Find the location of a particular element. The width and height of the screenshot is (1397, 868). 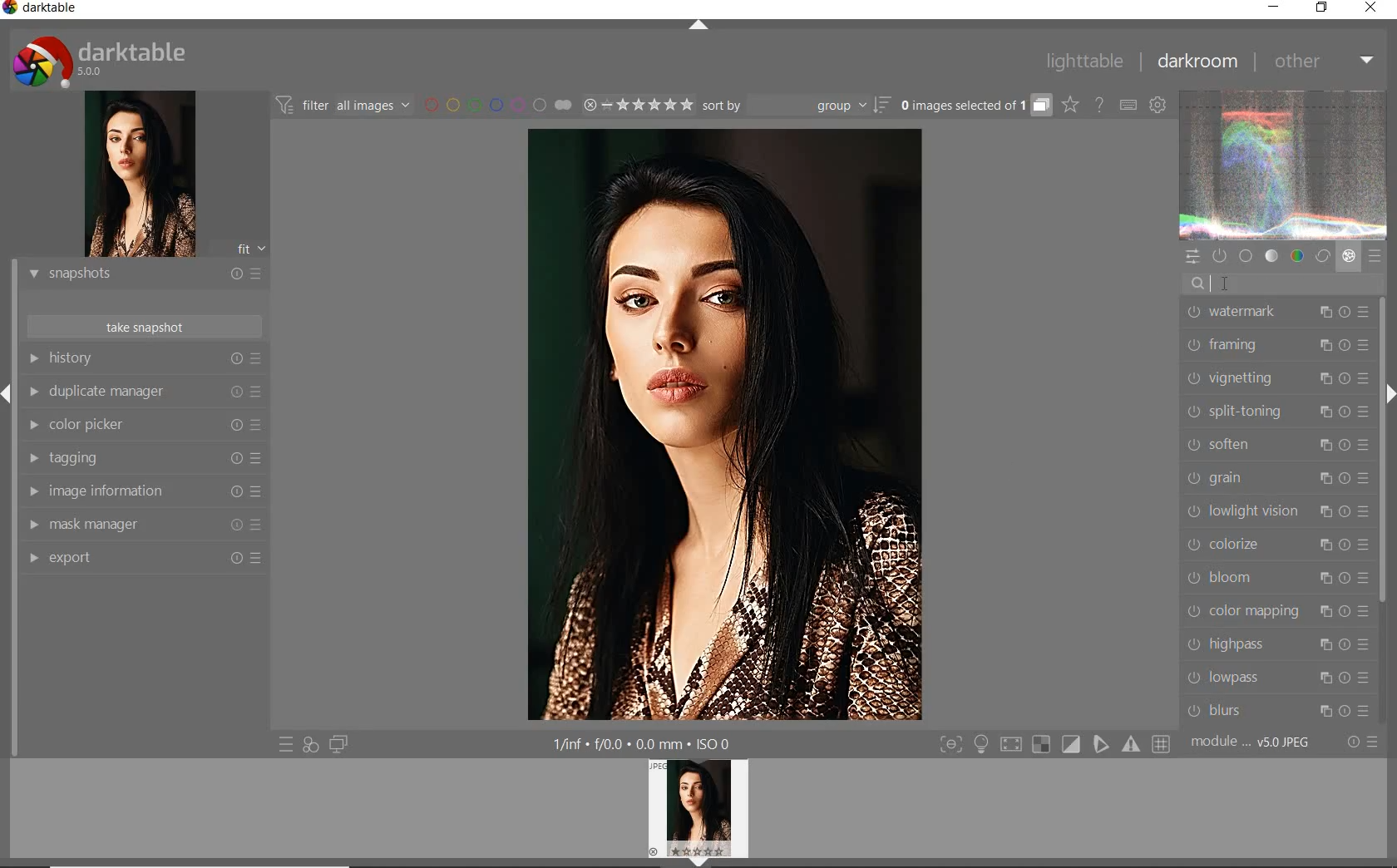

show global preferences is located at coordinates (1158, 105).